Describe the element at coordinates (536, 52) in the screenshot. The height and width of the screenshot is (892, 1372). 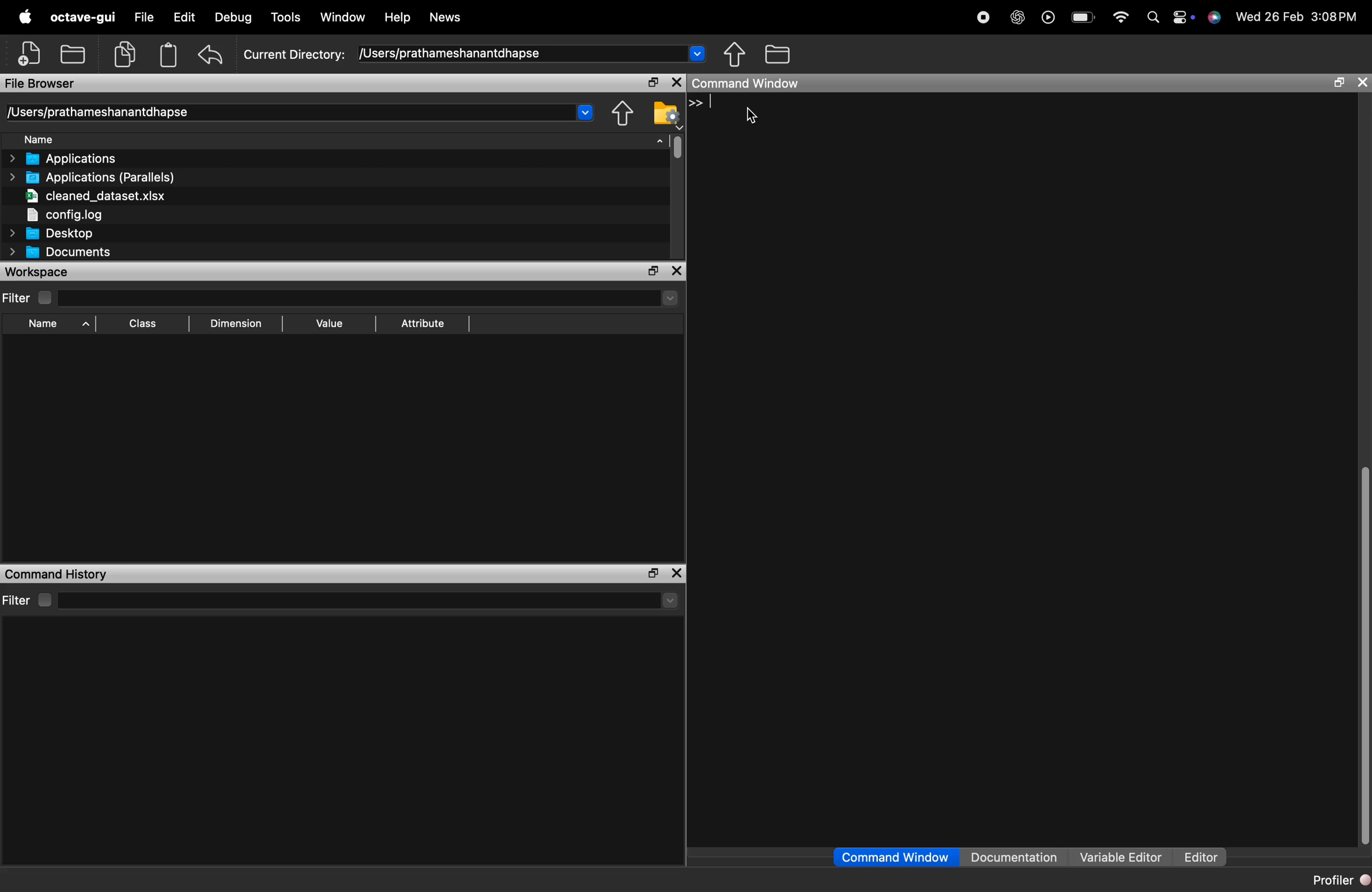
I see `/Users/prathameshanantdhapse` at that location.